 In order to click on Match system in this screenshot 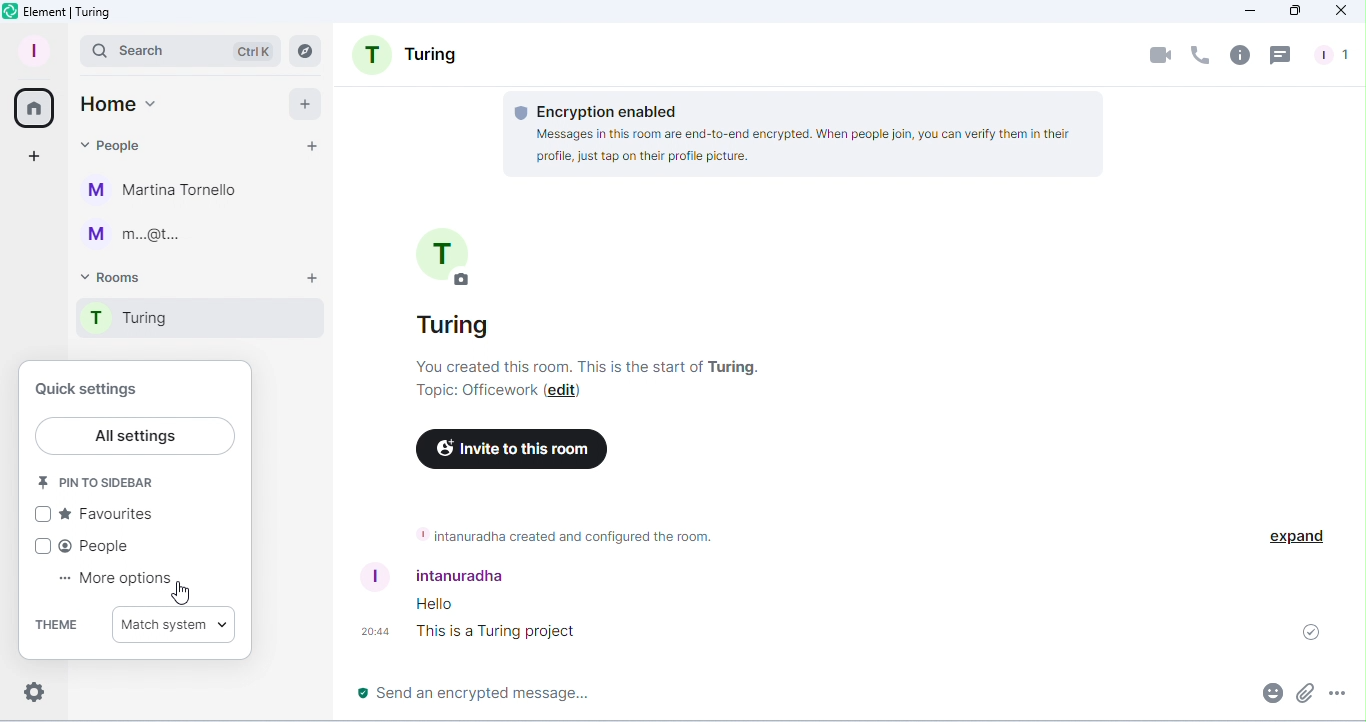, I will do `click(173, 622)`.